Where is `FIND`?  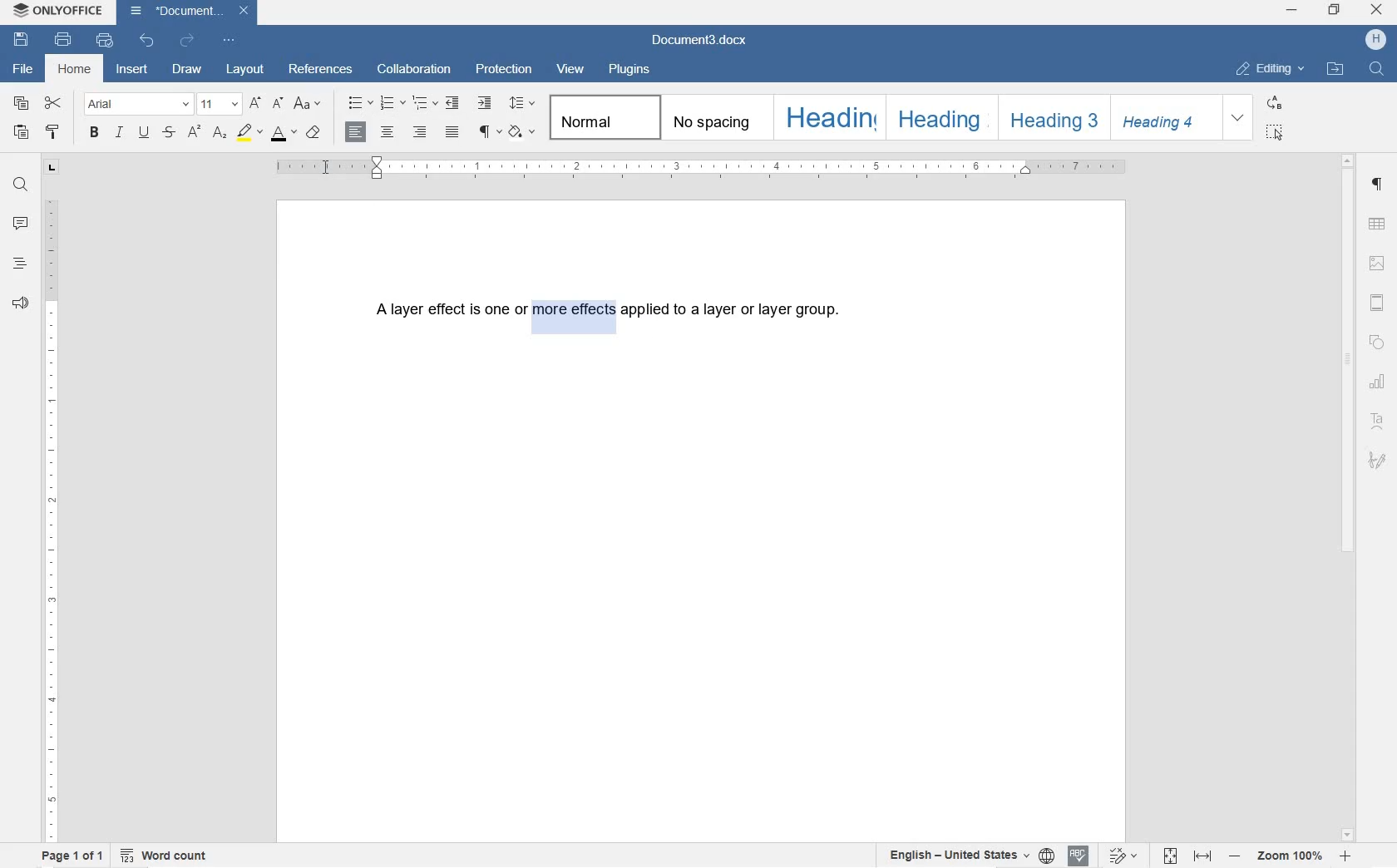
FIND is located at coordinates (1375, 68).